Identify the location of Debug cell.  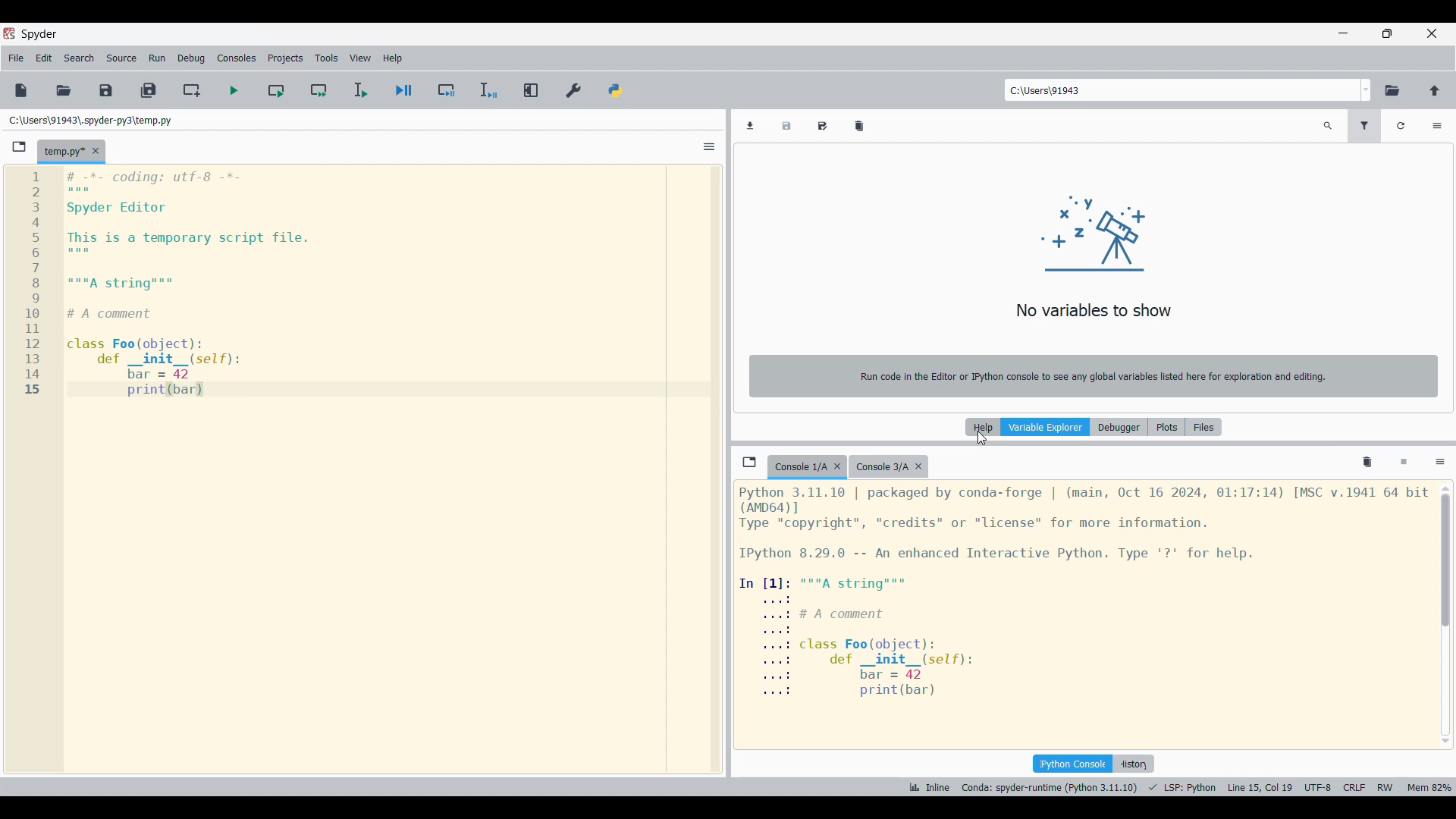
(447, 91).